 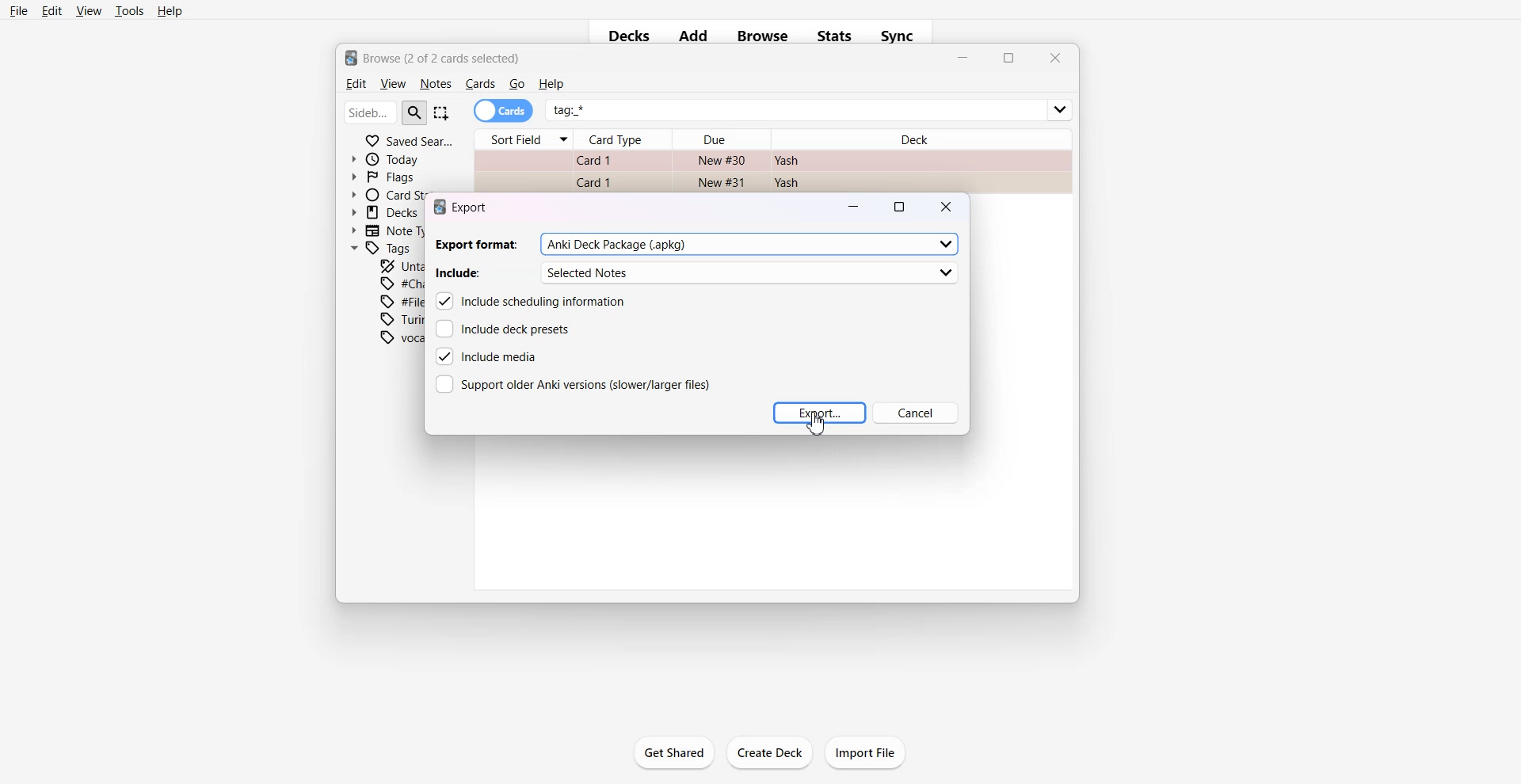 What do you see at coordinates (504, 111) in the screenshot?
I see `Cards` at bounding box center [504, 111].